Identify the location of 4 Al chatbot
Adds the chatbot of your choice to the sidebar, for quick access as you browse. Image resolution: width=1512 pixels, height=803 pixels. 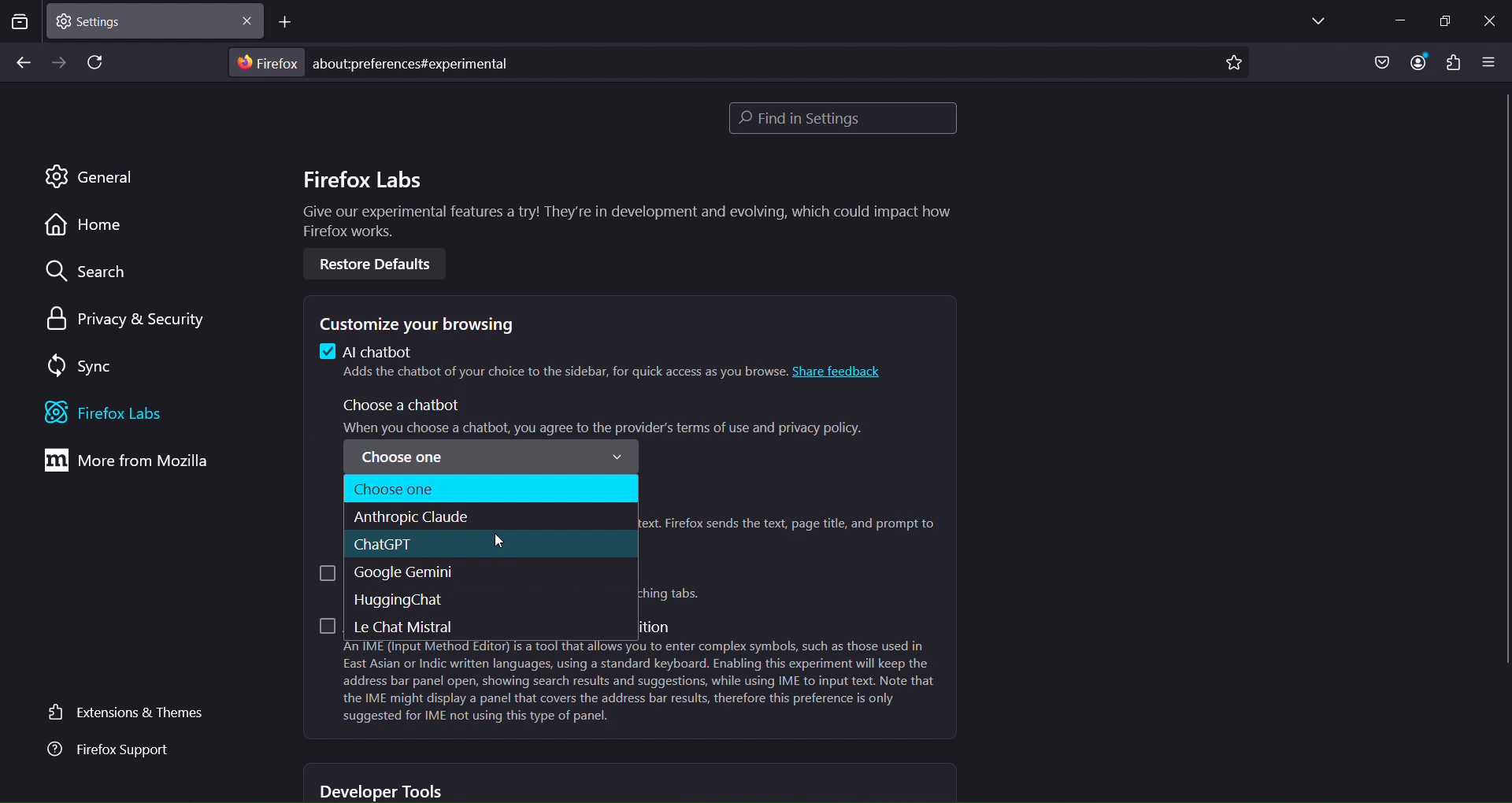
(549, 361).